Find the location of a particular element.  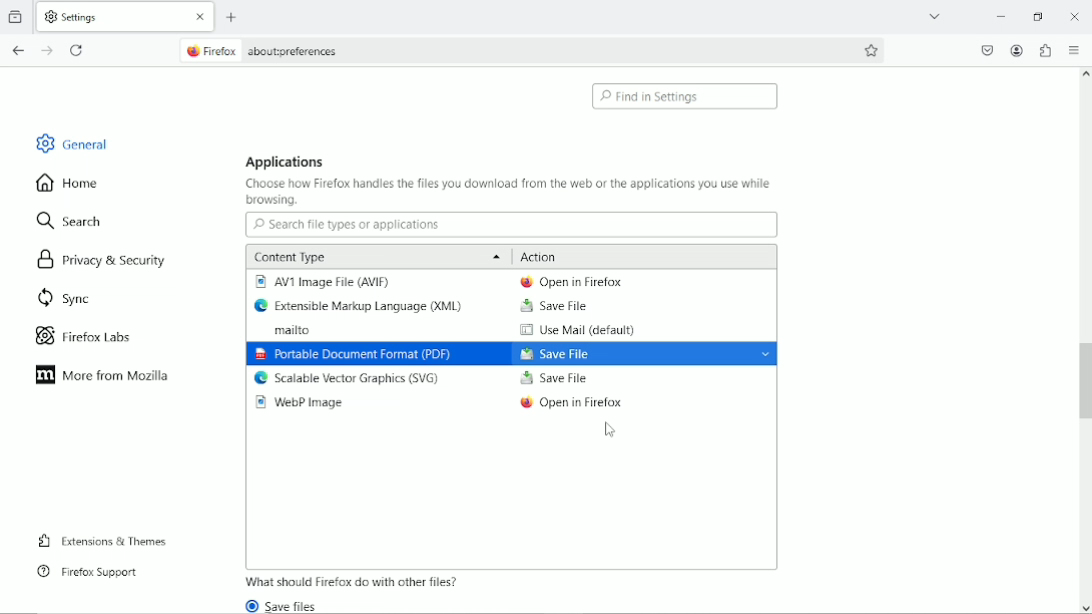

New tab is located at coordinates (233, 18).